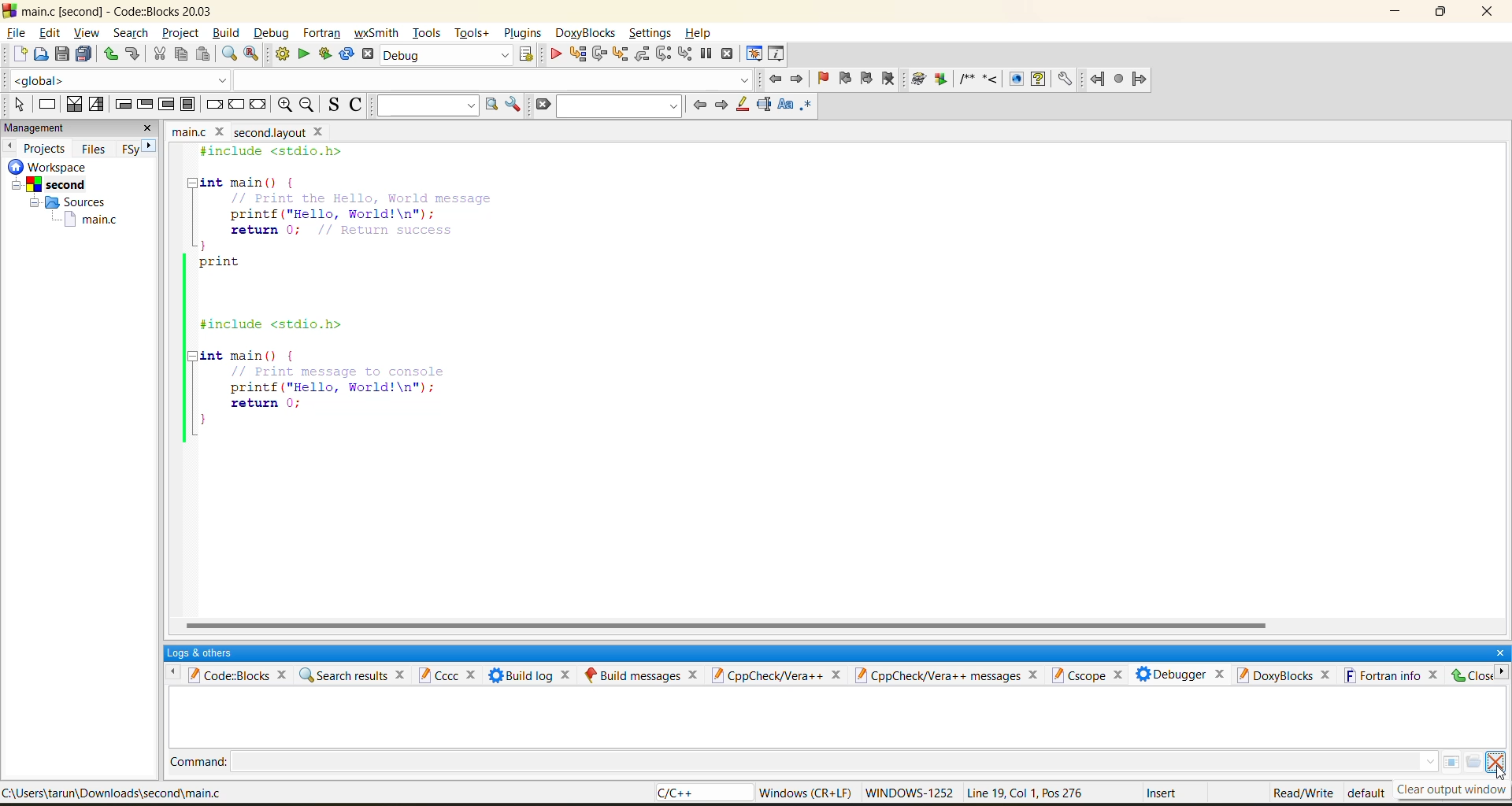 Image resolution: width=1512 pixels, height=806 pixels. I want to click on select, so click(17, 105).